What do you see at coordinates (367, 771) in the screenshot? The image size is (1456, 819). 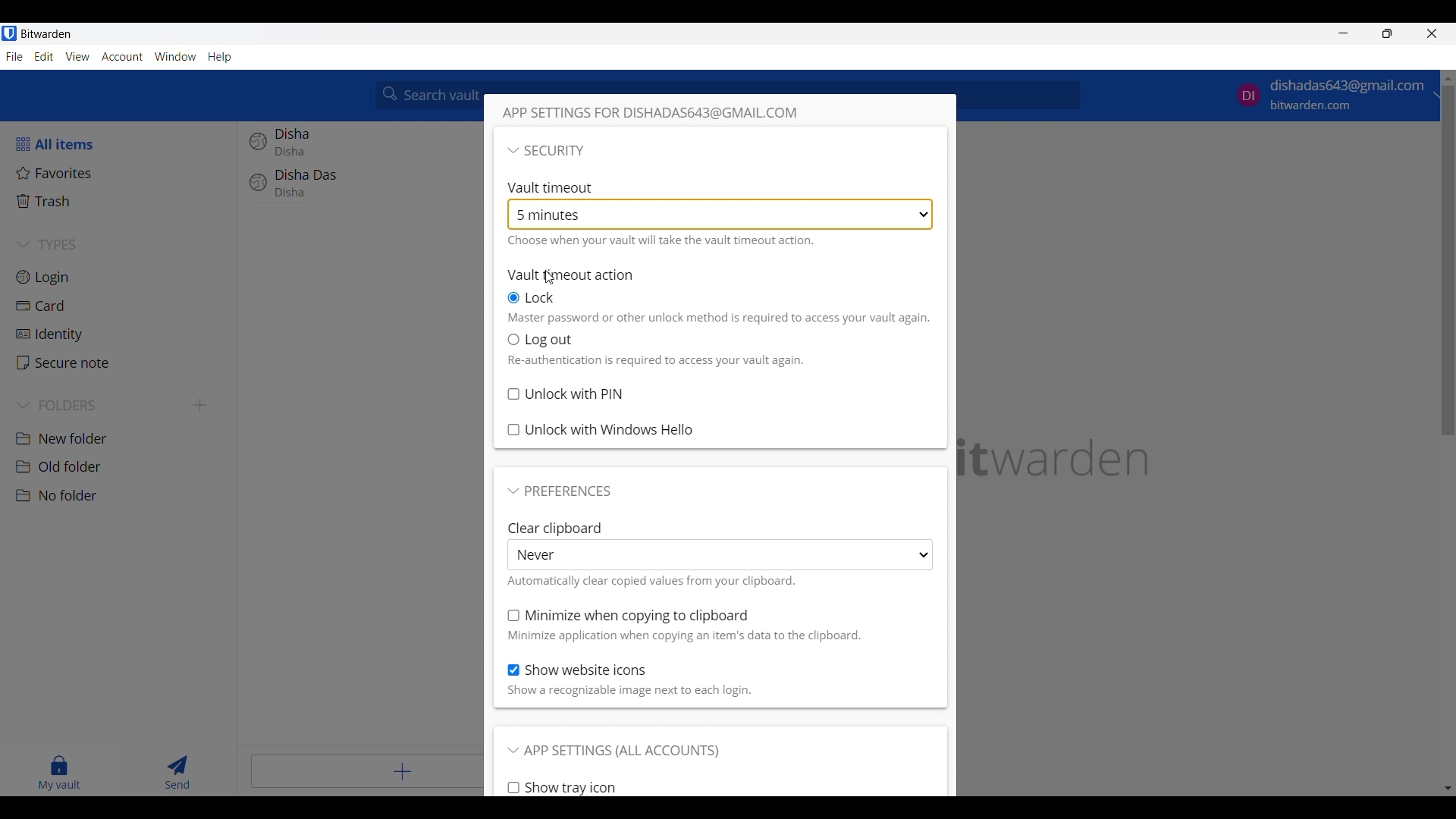 I see `Add item` at bounding box center [367, 771].